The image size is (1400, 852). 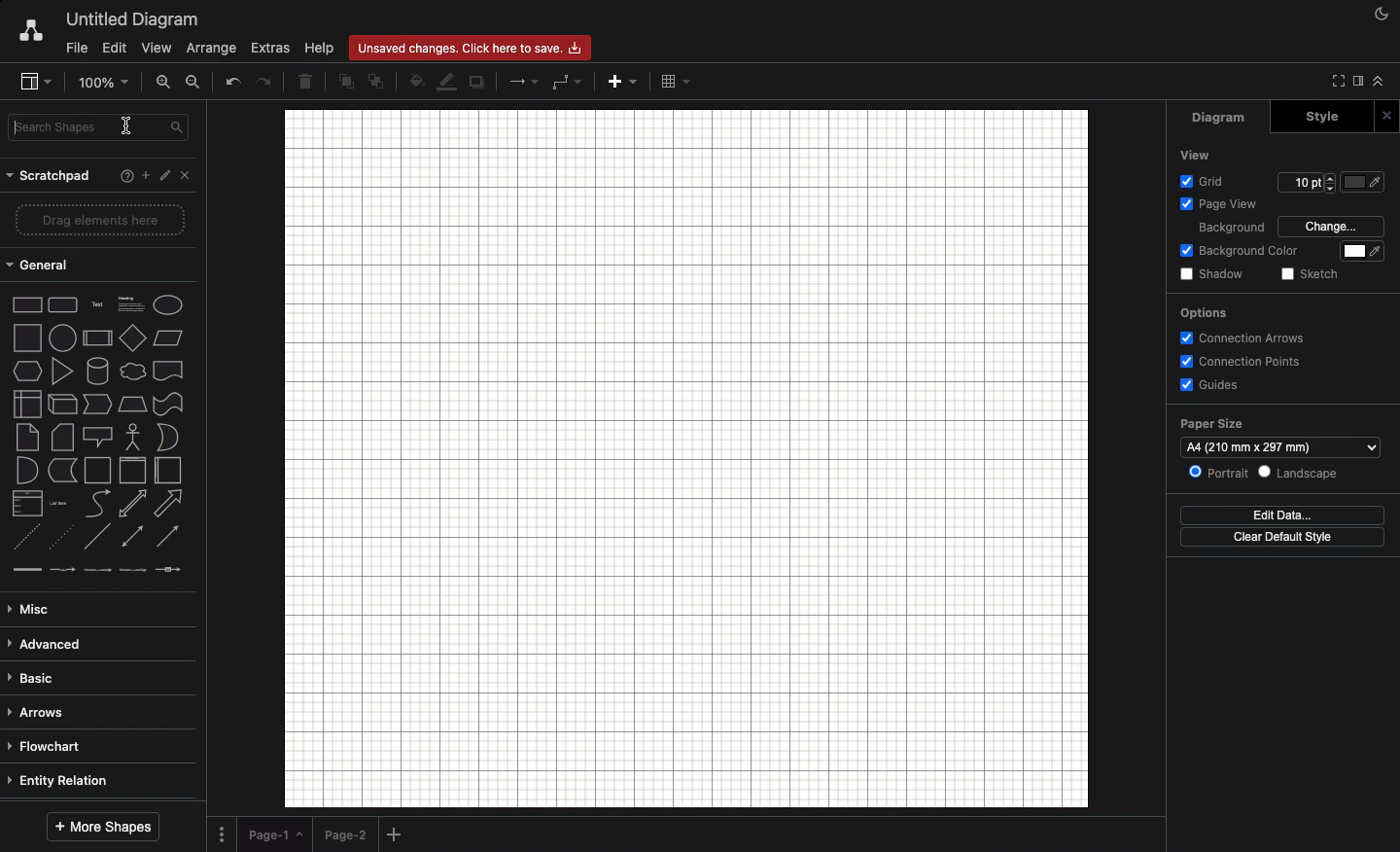 What do you see at coordinates (319, 49) in the screenshot?
I see `Help` at bounding box center [319, 49].